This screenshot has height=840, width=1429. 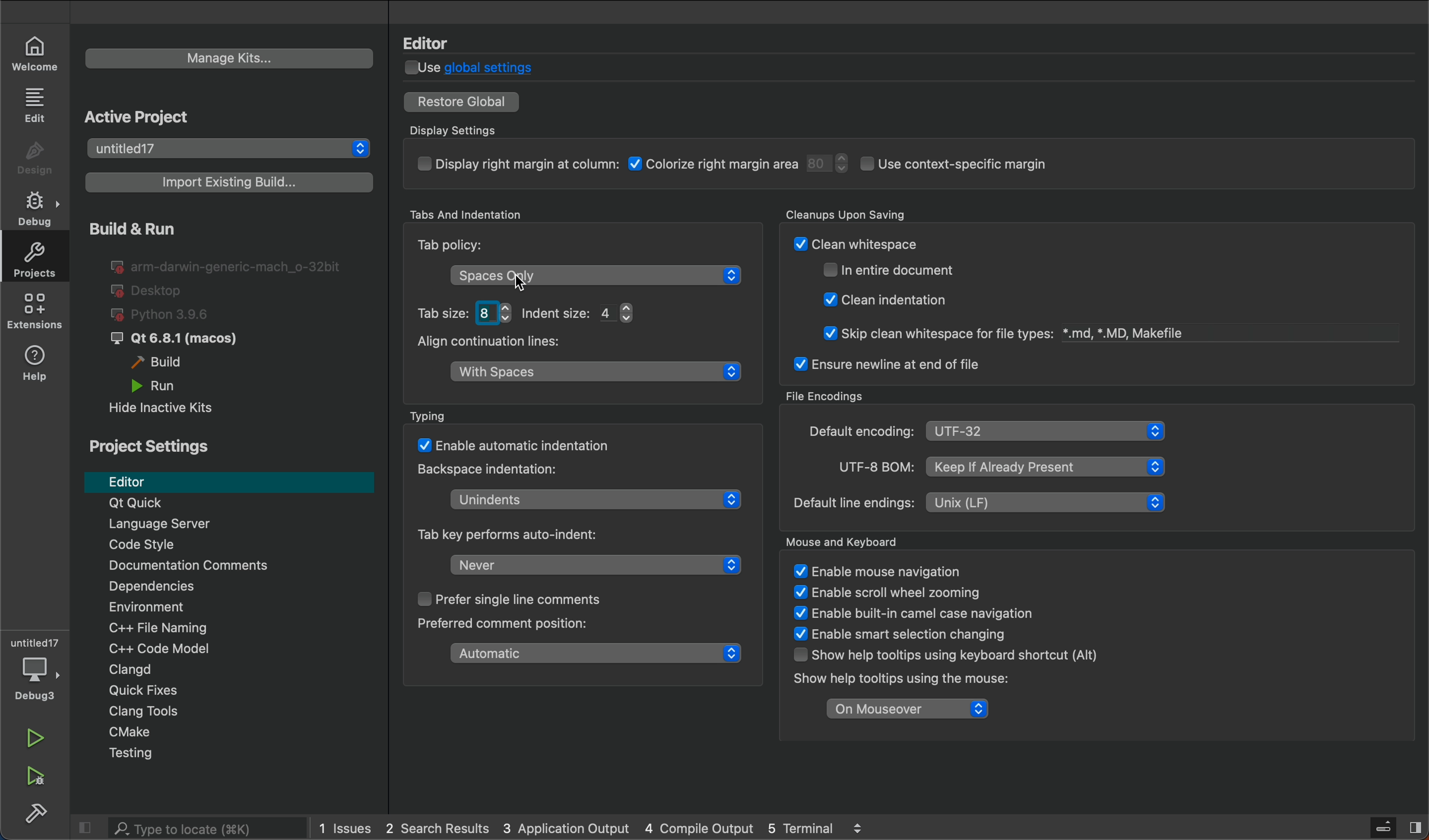 What do you see at coordinates (32, 781) in the screenshot?
I see `run and debug` at bounding box center [32, 781].